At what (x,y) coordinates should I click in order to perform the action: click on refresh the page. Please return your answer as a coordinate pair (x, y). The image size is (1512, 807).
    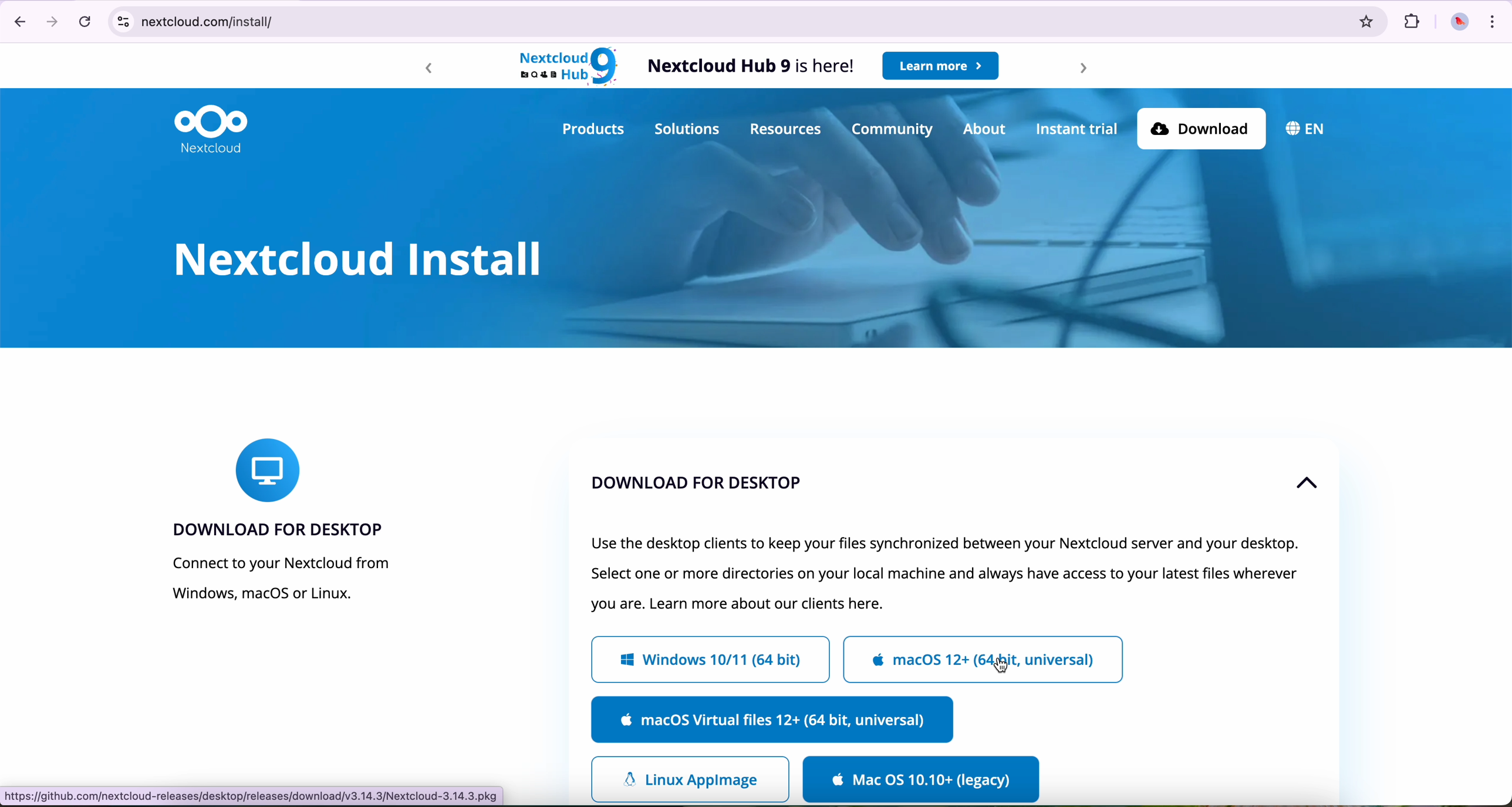
    Looking at the image, I should click on (88, 22).